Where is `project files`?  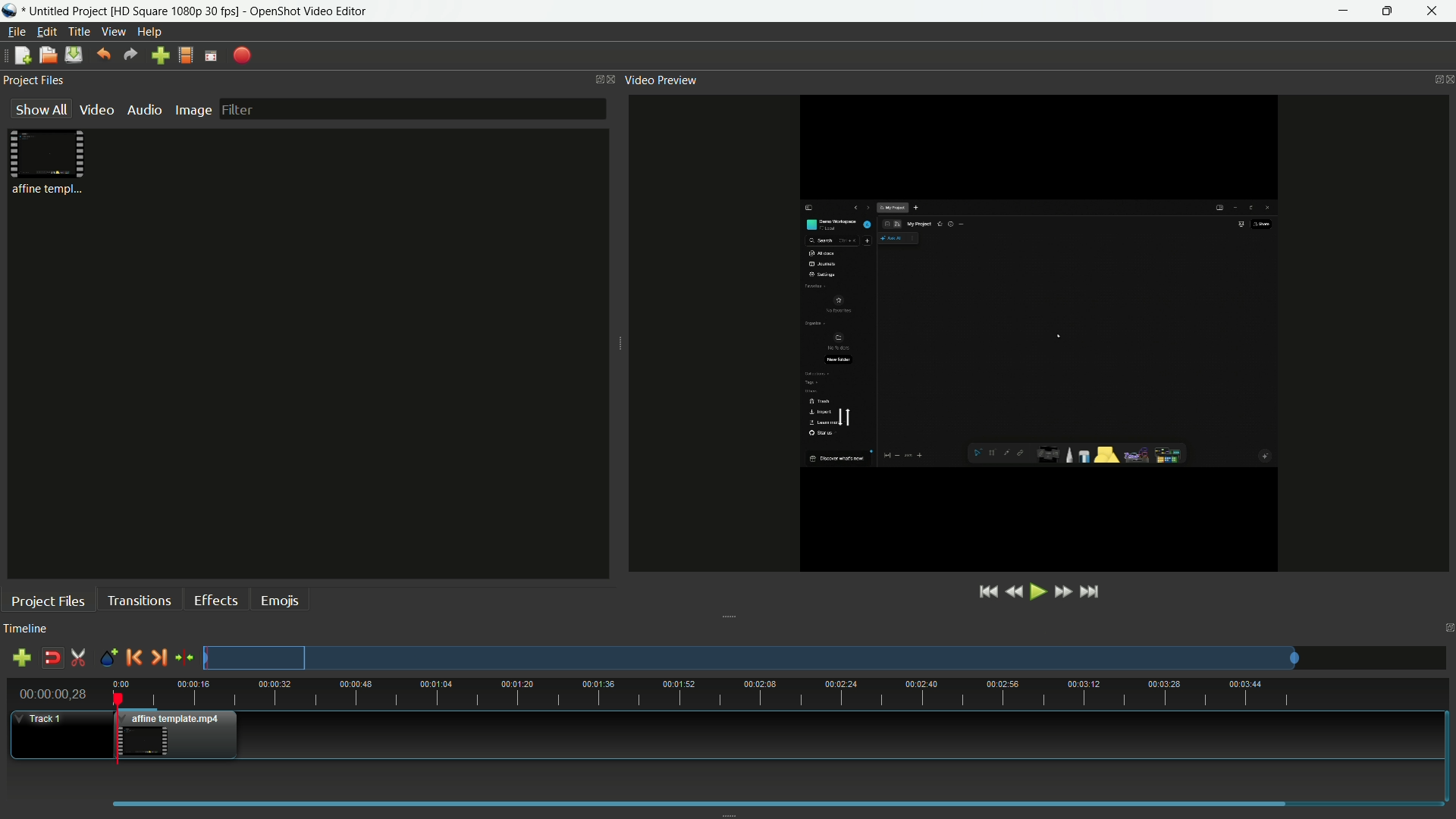
project files is located at coordinates (49, 601).